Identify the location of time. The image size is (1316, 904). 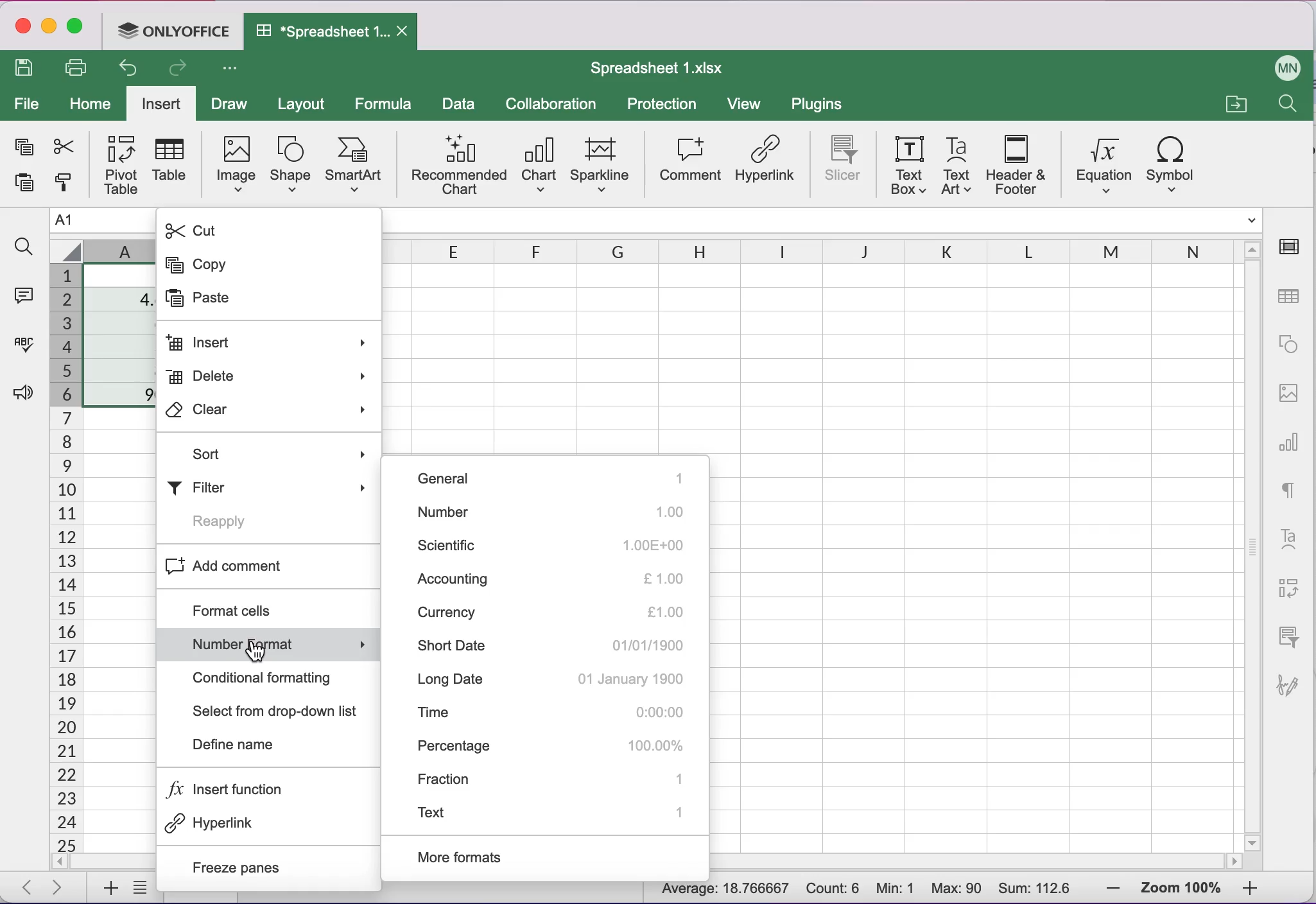
(557, 713).